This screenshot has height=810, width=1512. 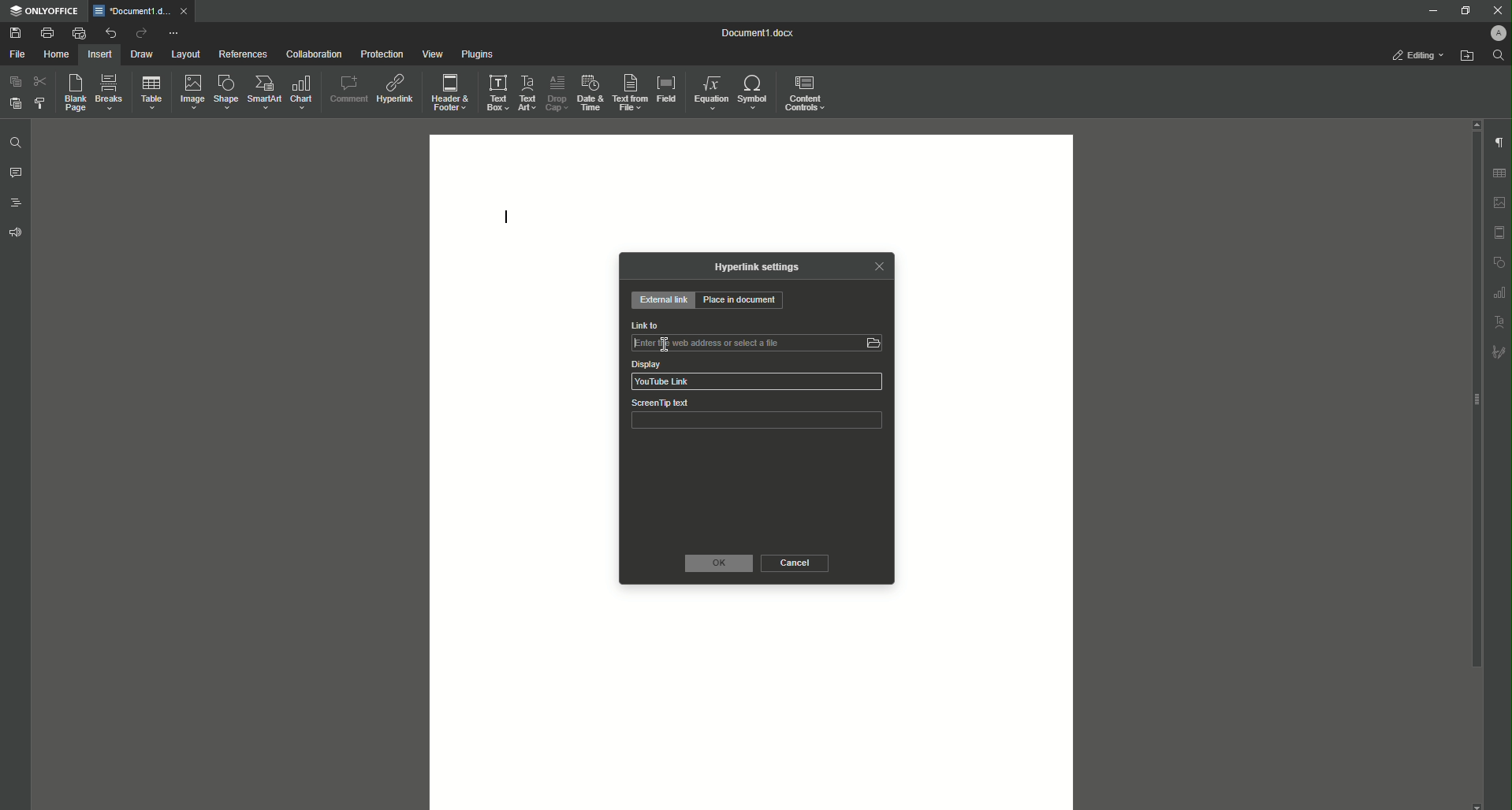 What do you see at coordinates (1475, 399) in the screenshot?
I see `scroll bar` at bounding box center [1475, 399].